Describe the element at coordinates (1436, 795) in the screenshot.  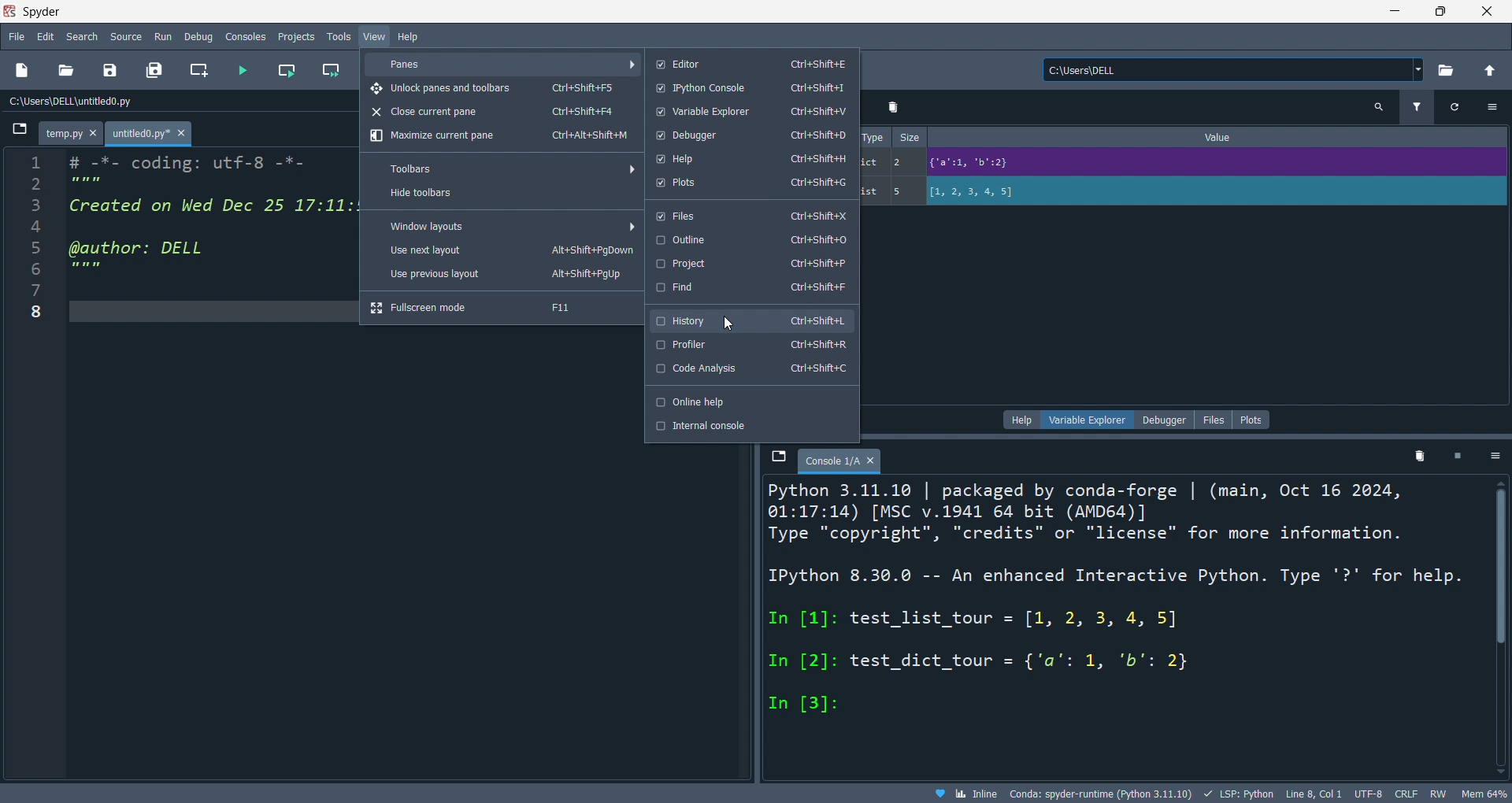
I see `rw` at that location.